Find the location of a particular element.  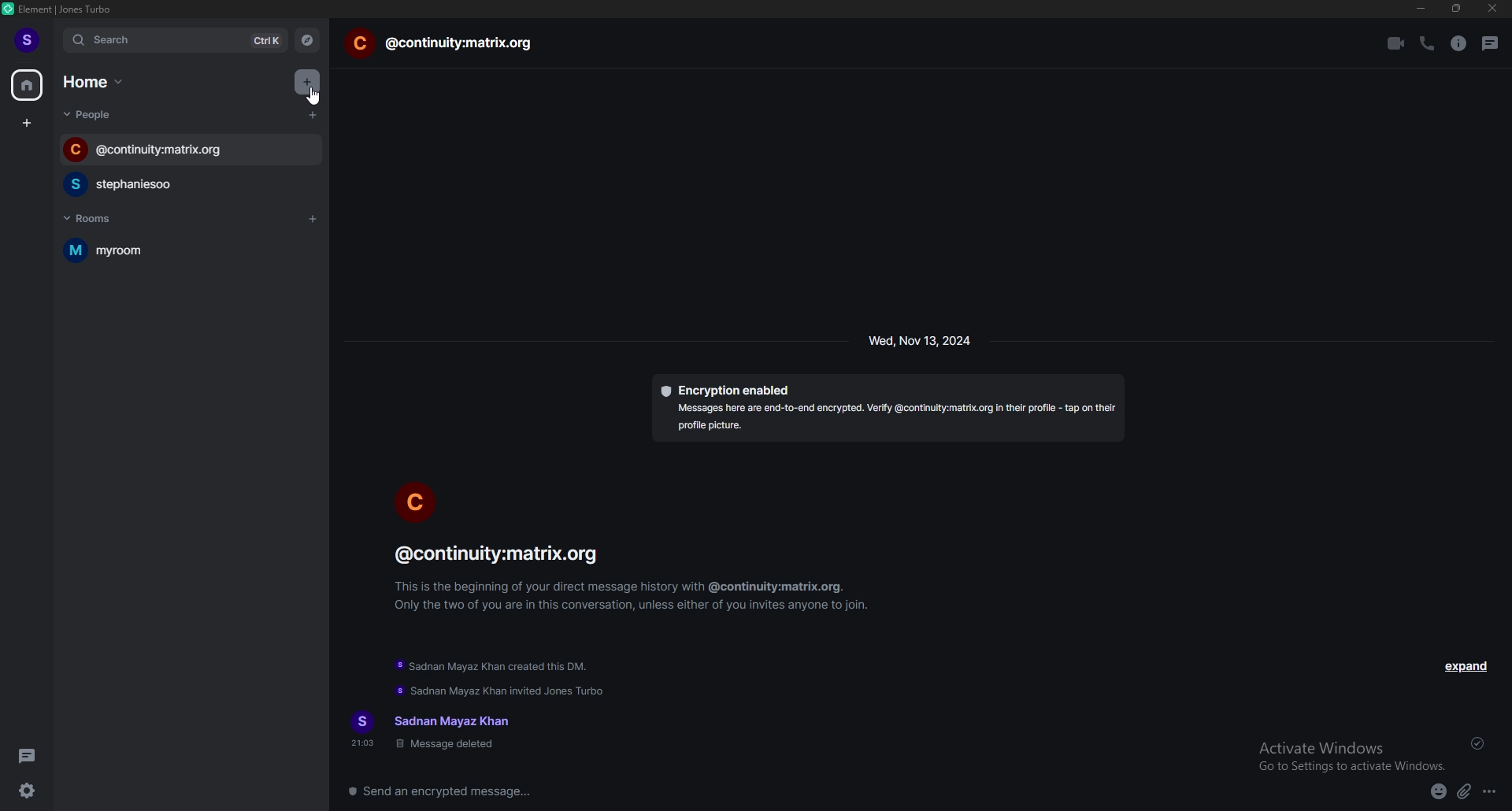

room info is located at coordinates (1458, 44).